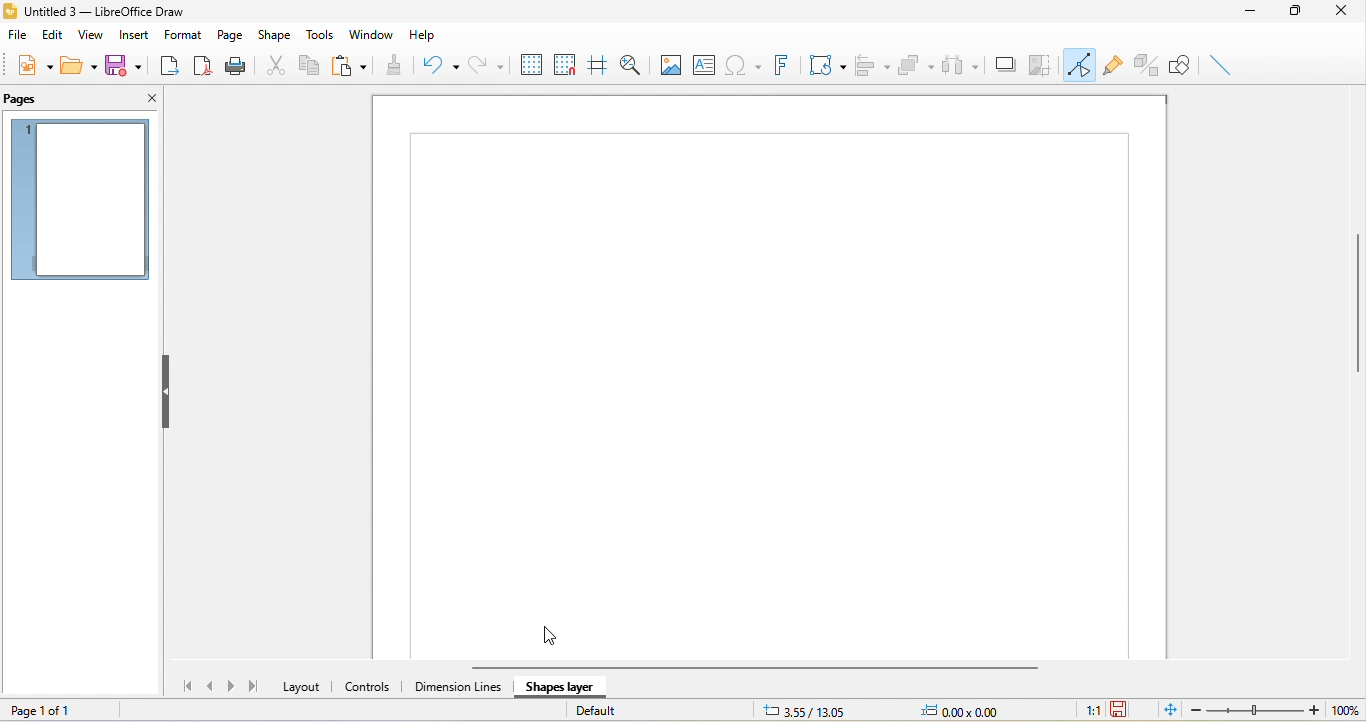 The image size is (1366, 722). What do you see at coordinates (1182, 65) in the screenshot?
I see `show draw function` at bounding box center [1182, 65].